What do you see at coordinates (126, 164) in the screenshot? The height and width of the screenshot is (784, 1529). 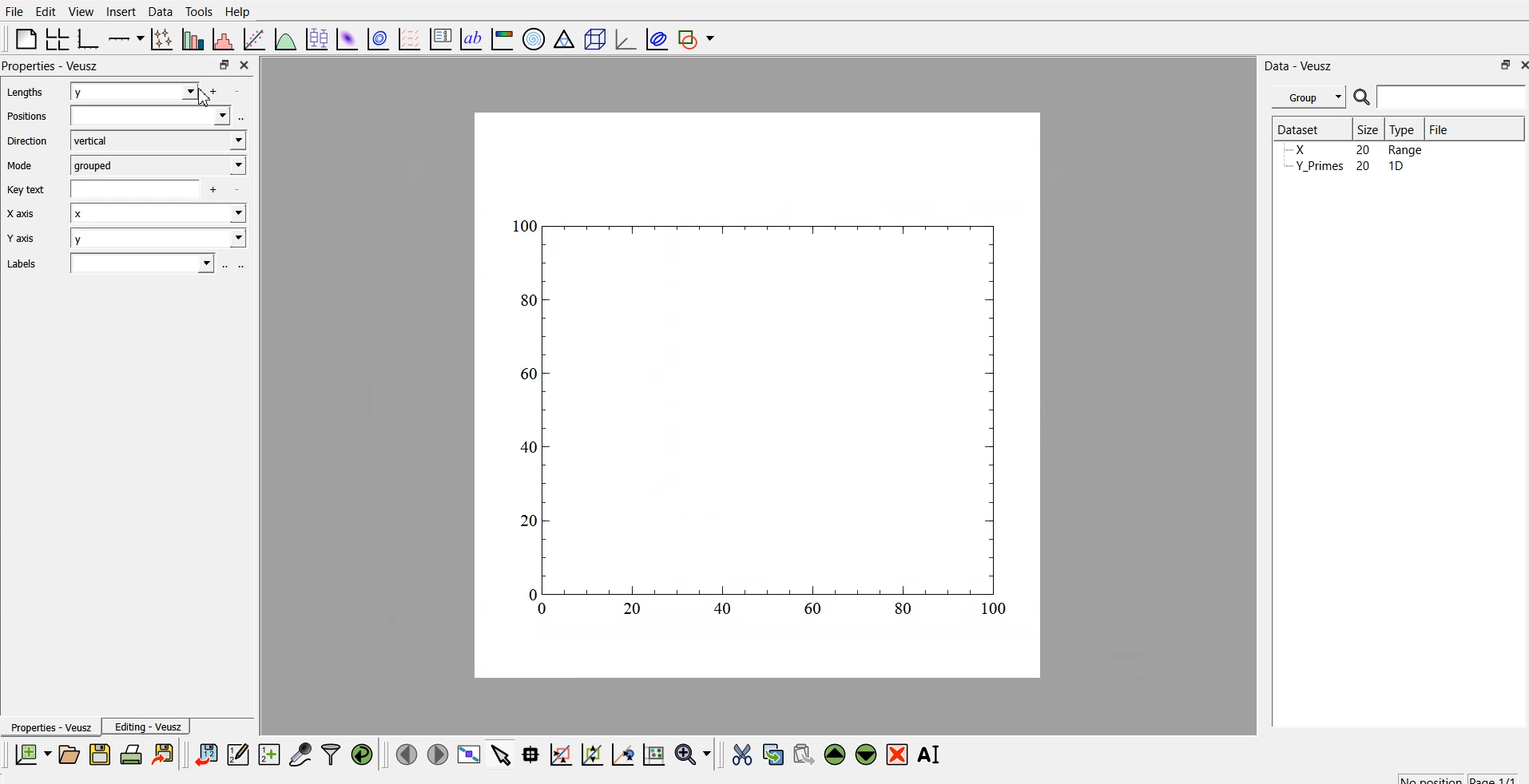 I see `Mode grouped` at bounding box center [126, 164].